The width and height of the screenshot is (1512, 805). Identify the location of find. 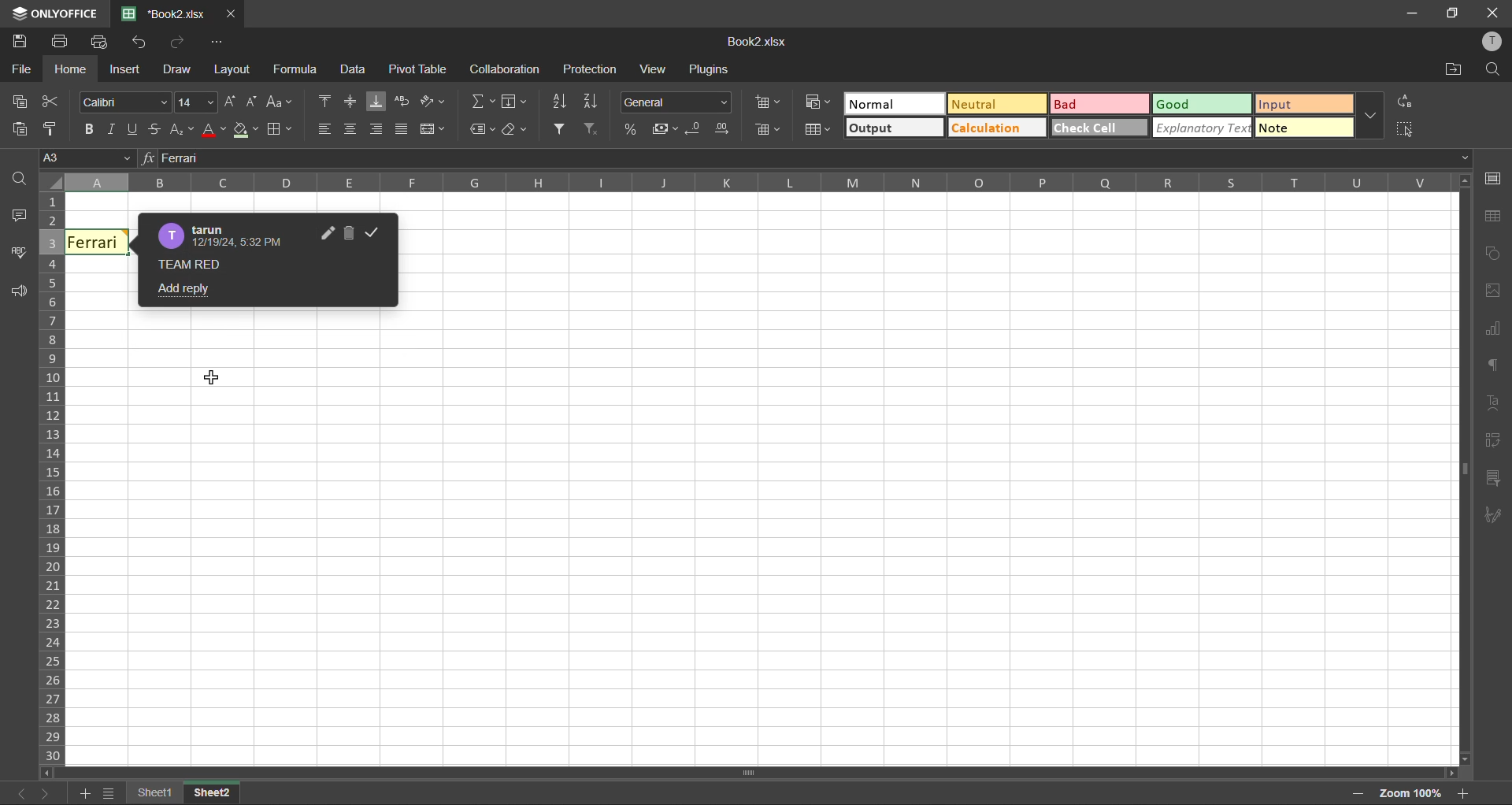
(21, 182).